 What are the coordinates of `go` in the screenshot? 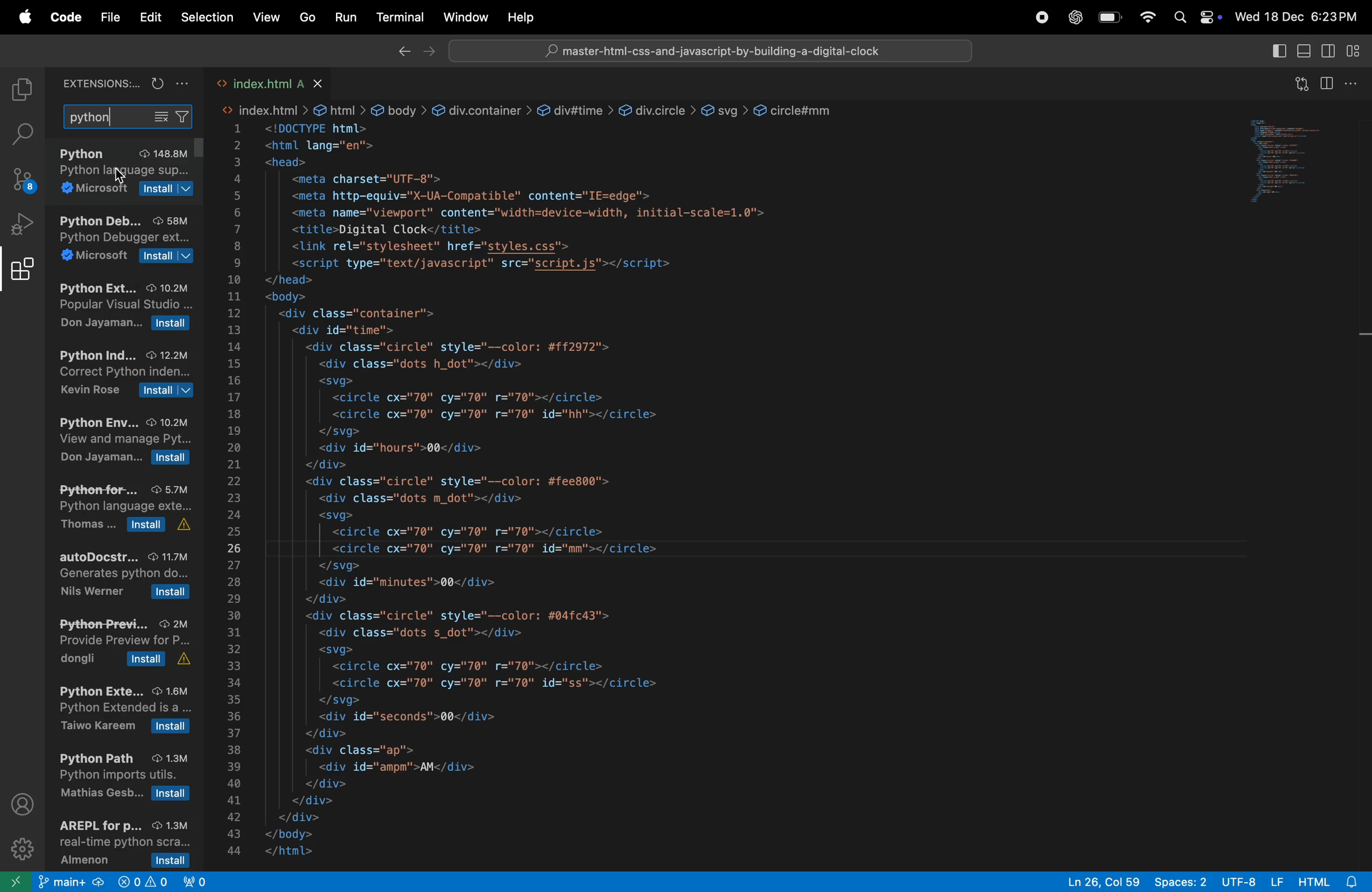 It's located at (305, 18).